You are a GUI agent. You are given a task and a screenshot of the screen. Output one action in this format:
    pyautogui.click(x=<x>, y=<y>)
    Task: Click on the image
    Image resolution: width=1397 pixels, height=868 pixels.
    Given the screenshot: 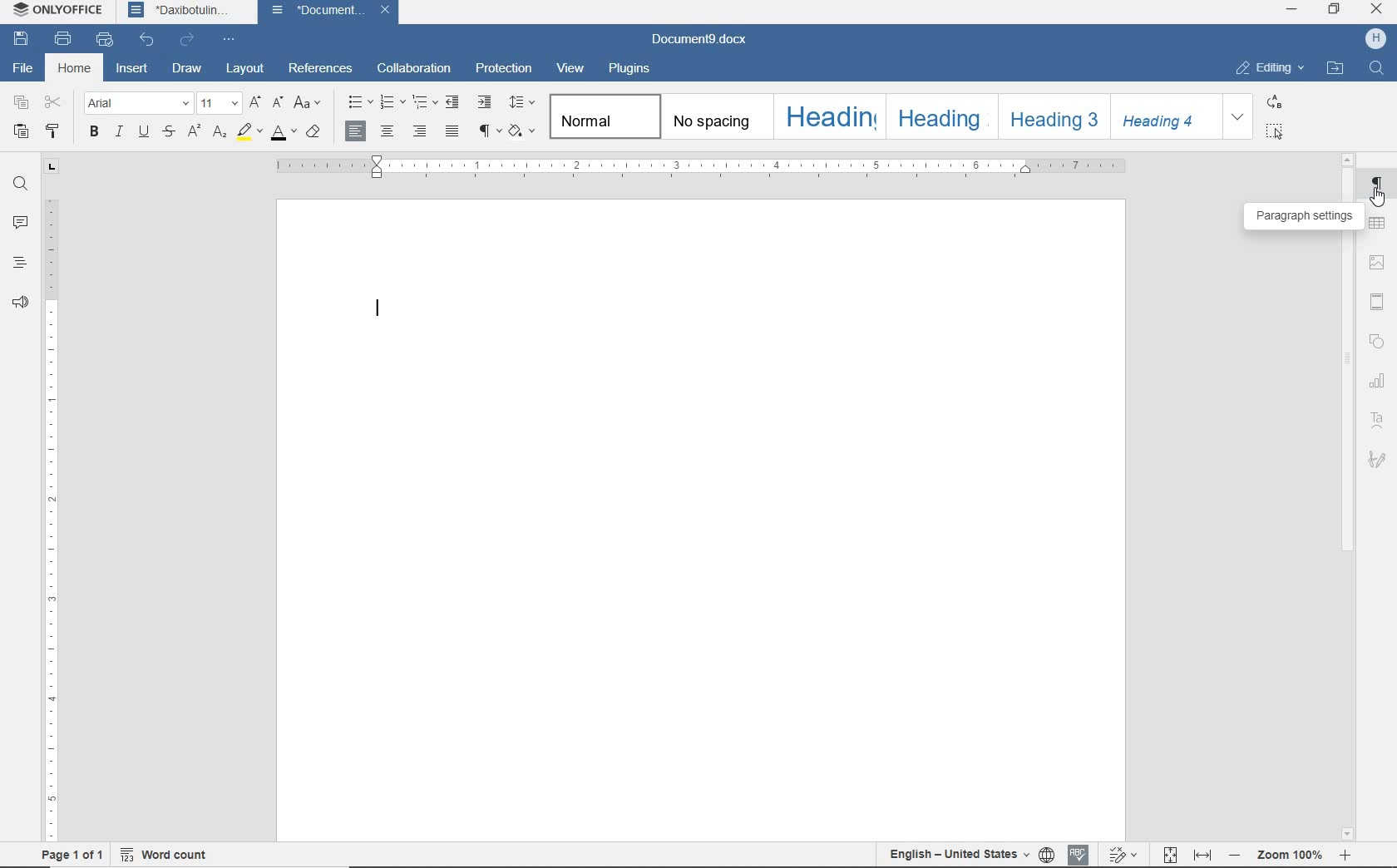 What is the action you would take?
    pyautogui.click(x=1377, y=263)
    